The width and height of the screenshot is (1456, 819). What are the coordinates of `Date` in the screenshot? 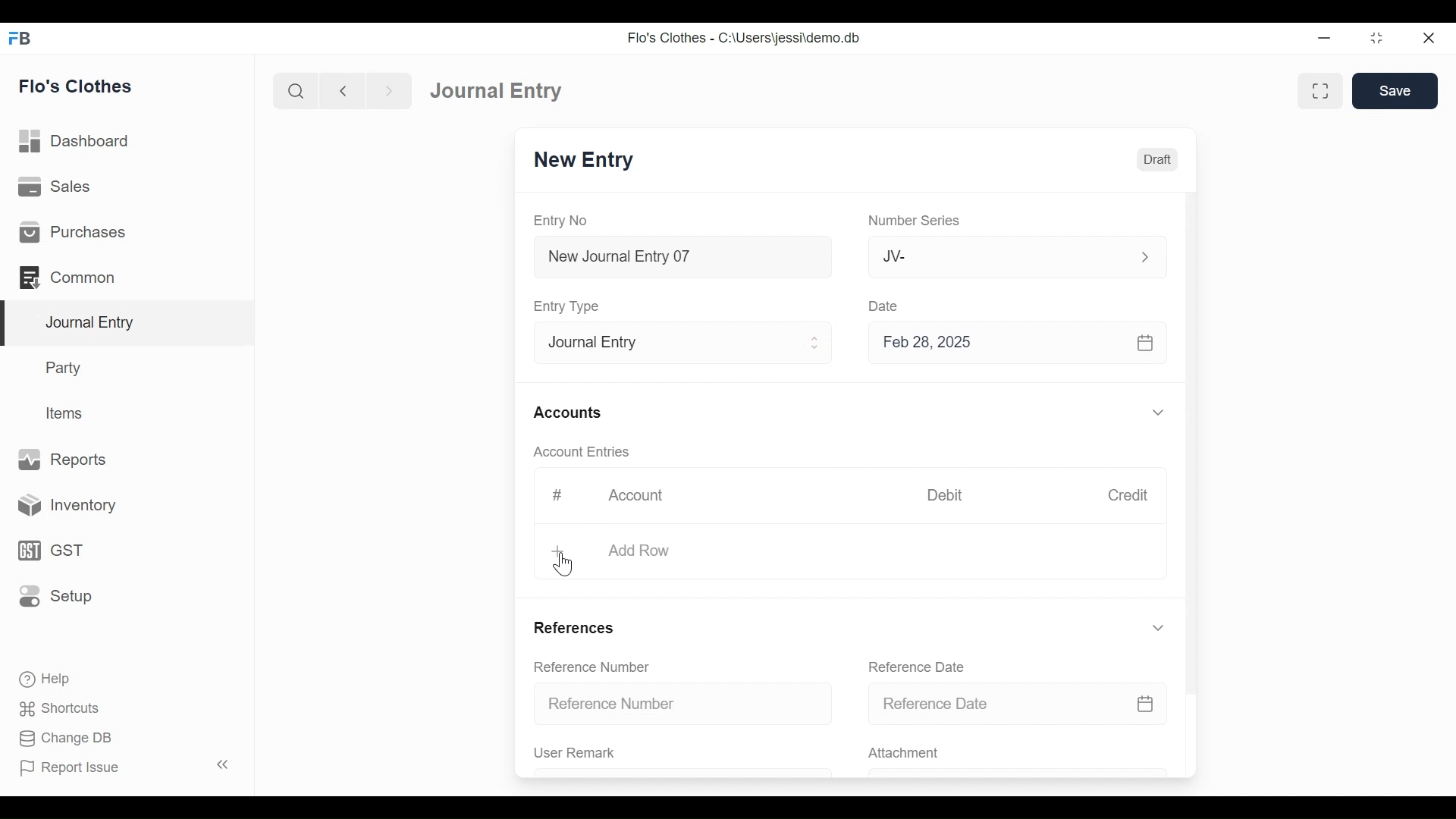 It's located at (888, 307).